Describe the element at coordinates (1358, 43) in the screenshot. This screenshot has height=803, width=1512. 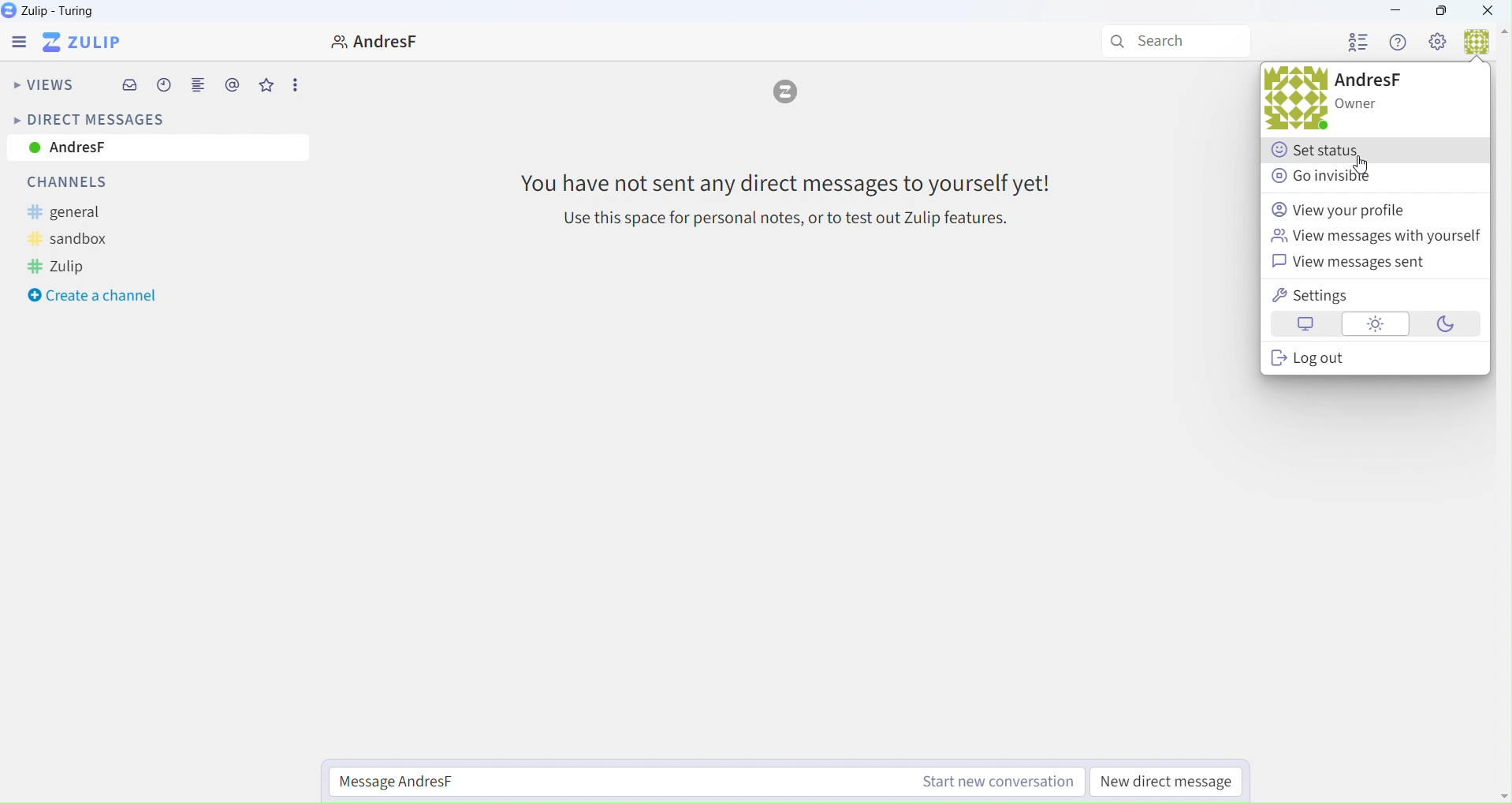
I see `Users` at that location.